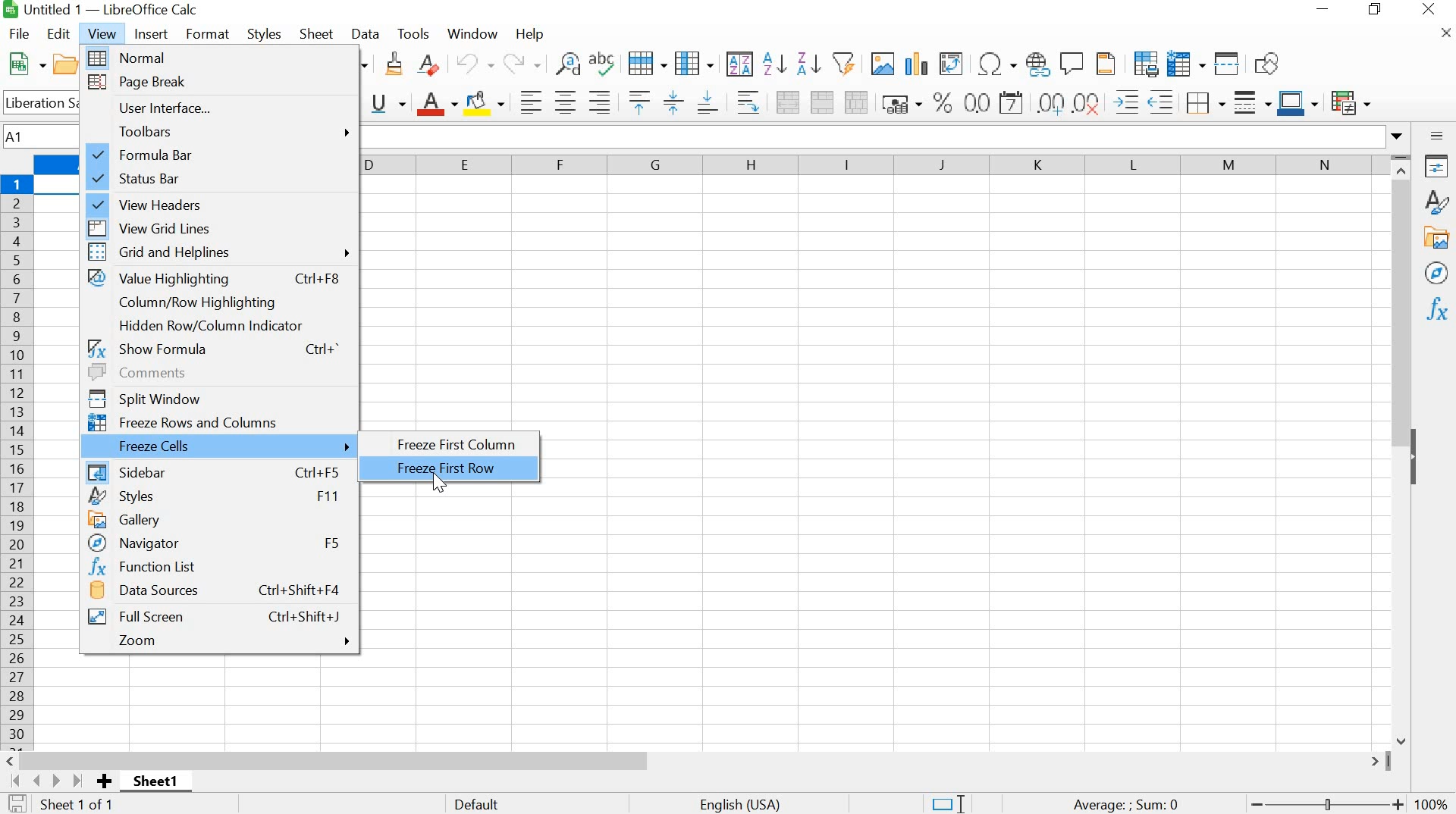 Image resolution: width=1456 pixels, height=814 pixels. What do you see at coordinates (518, 803) in the screenshot?
I see `DEFAULT` at bounding box center [518, 803].